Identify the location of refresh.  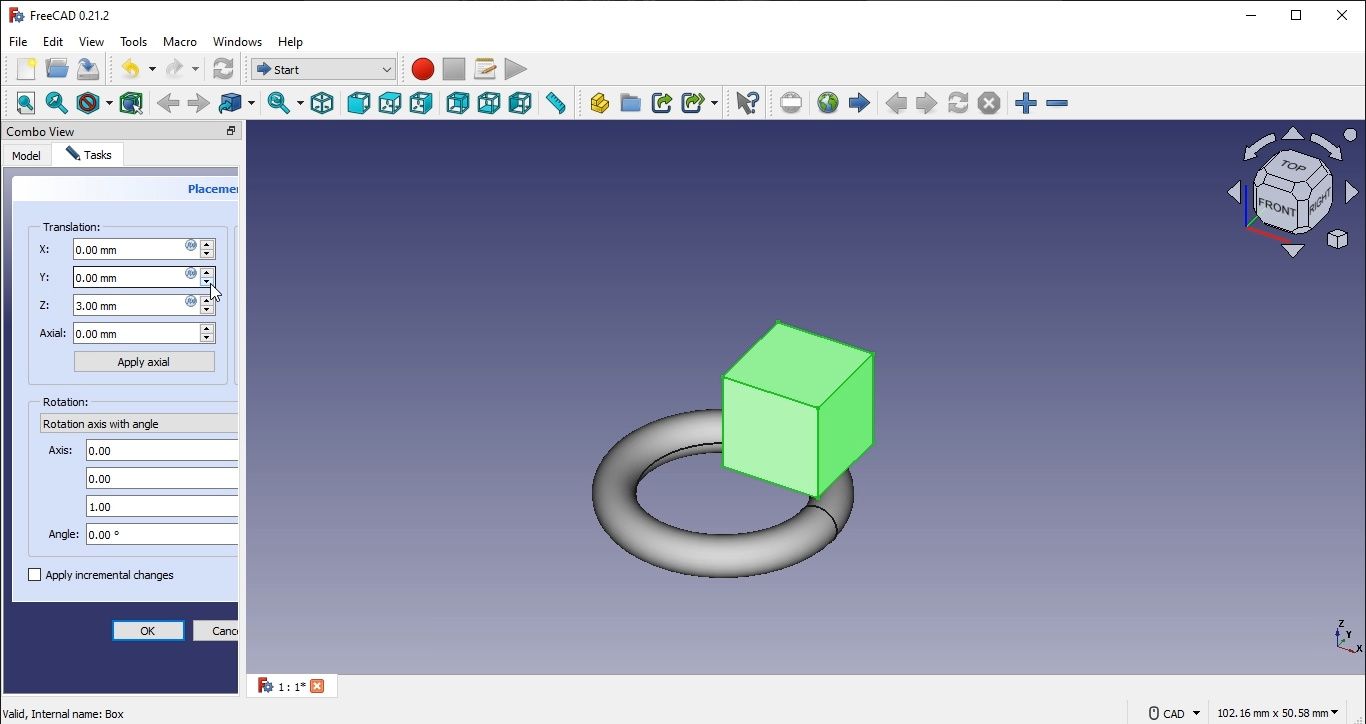
(960, 102).